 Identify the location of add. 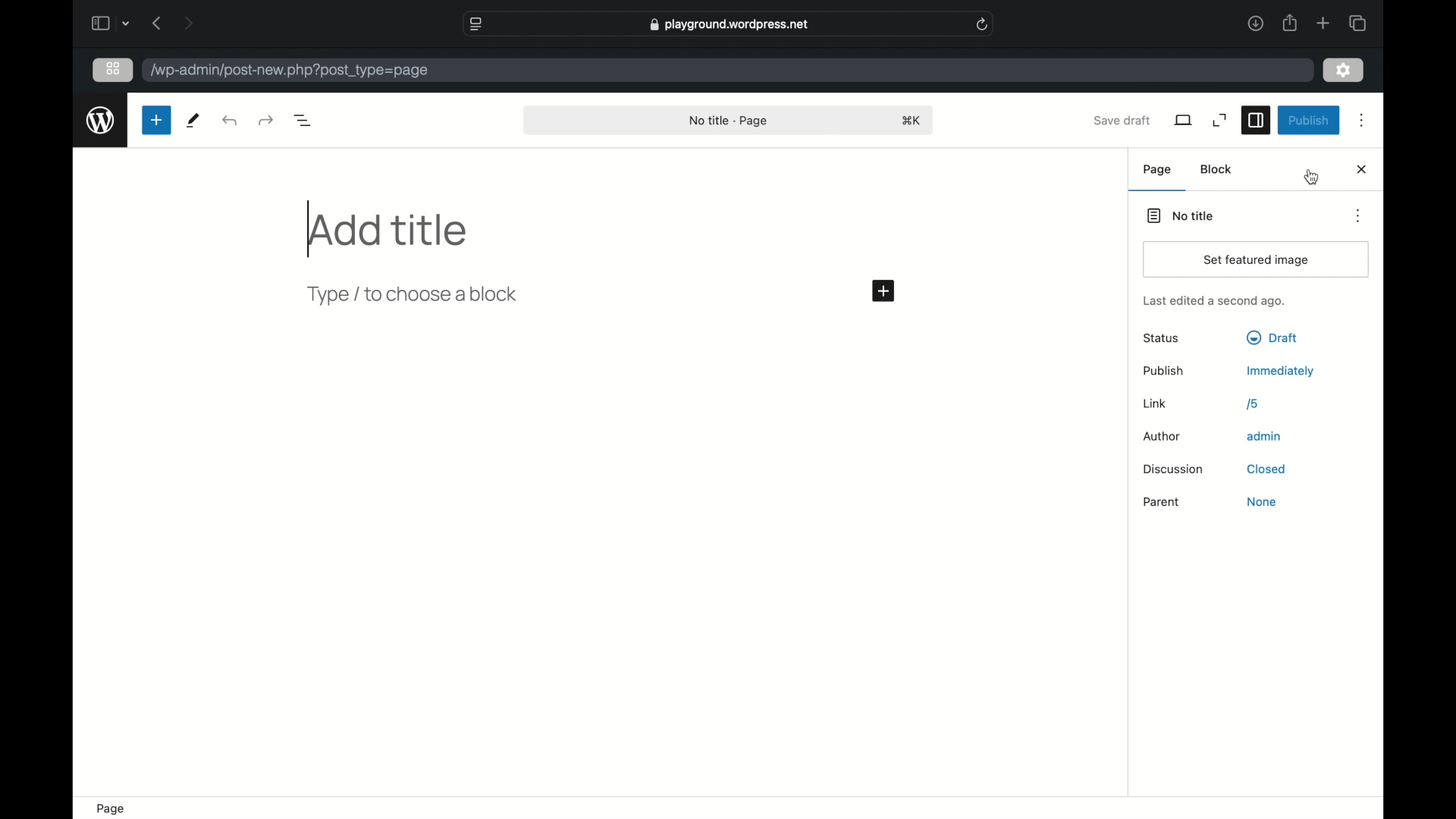
(885, 292).